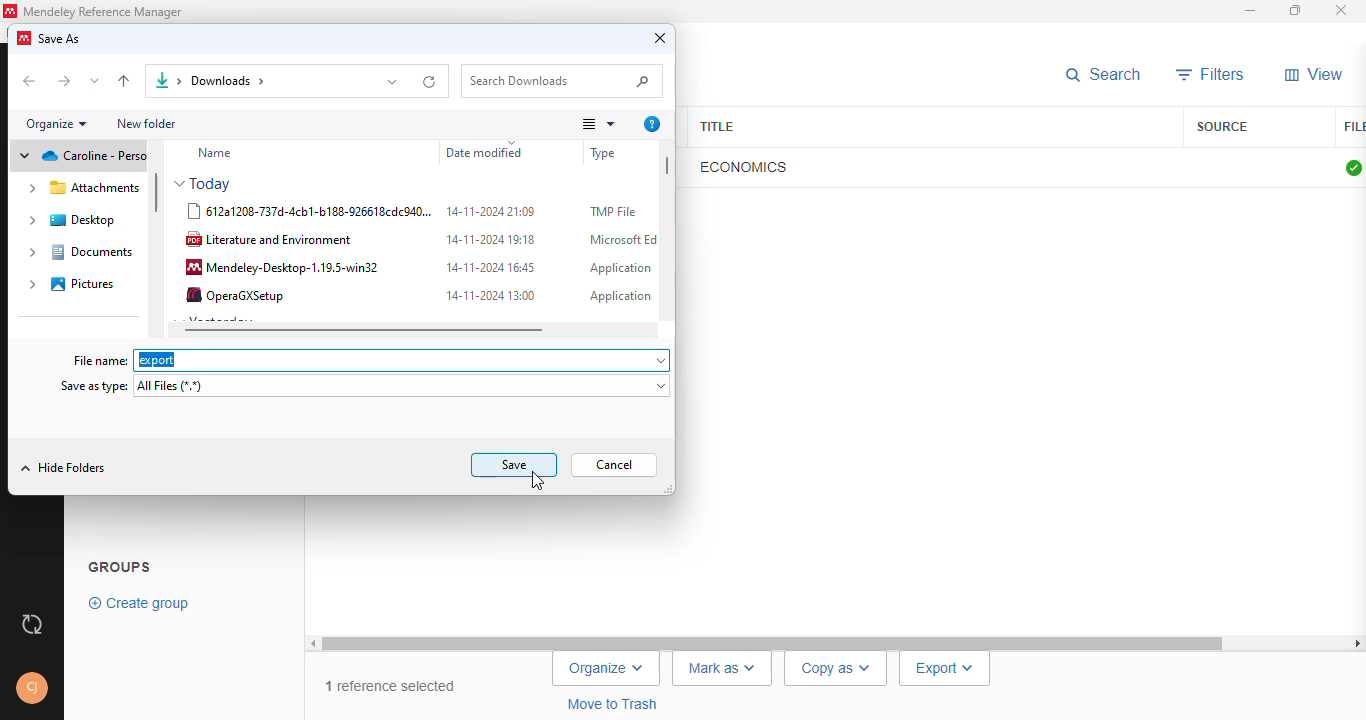 This screenshot has height=720, width=1366. I want to click on cancel, so click(614, 465).